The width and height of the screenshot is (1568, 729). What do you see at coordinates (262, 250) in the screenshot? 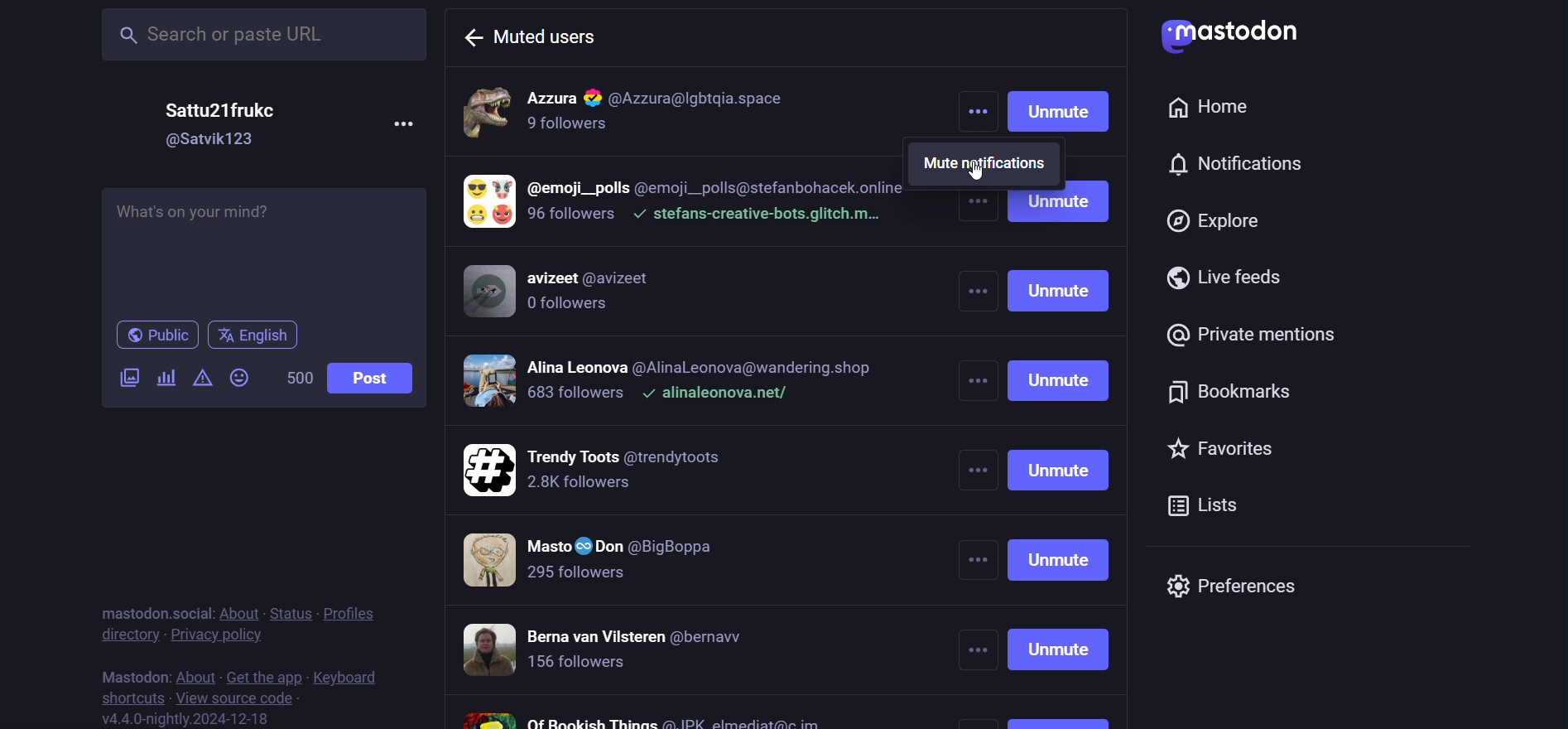
I see `post here` at bounding box center [262, 250].